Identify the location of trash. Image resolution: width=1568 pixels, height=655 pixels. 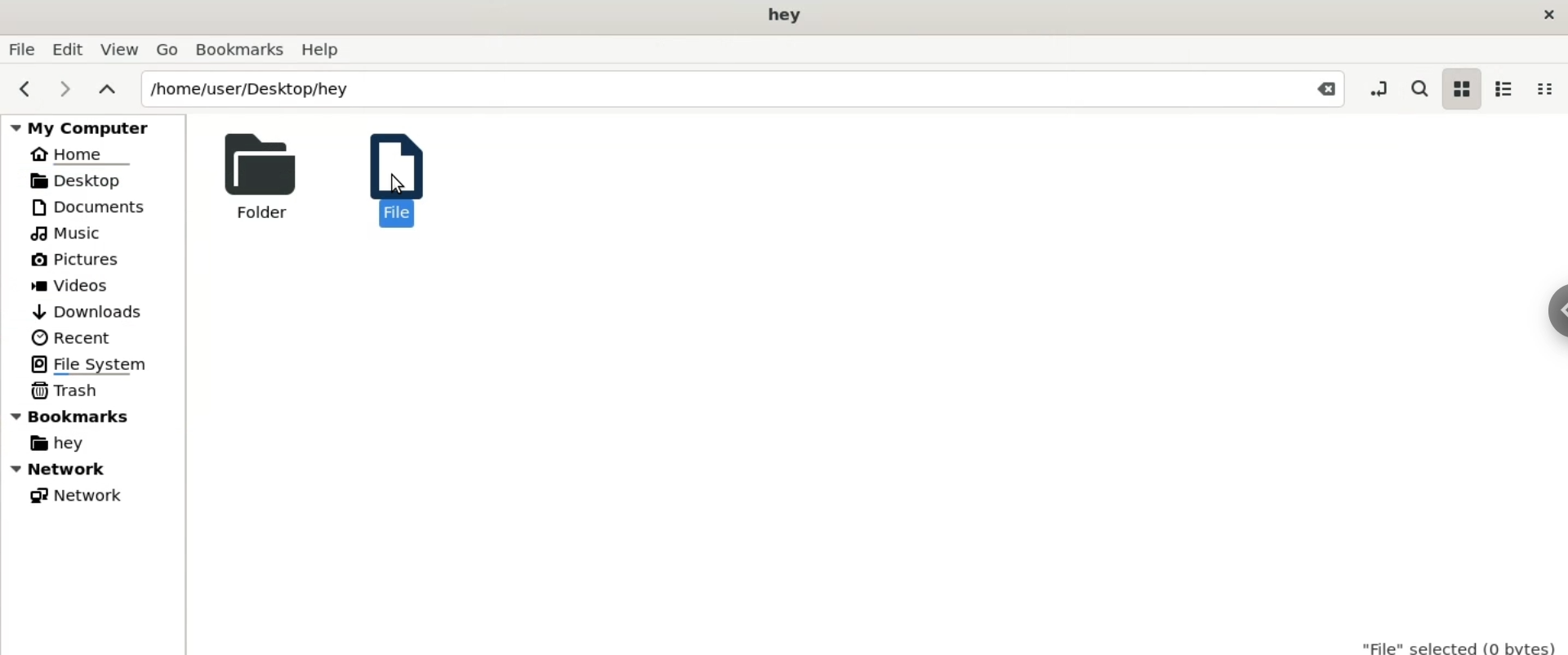
(65, 389).